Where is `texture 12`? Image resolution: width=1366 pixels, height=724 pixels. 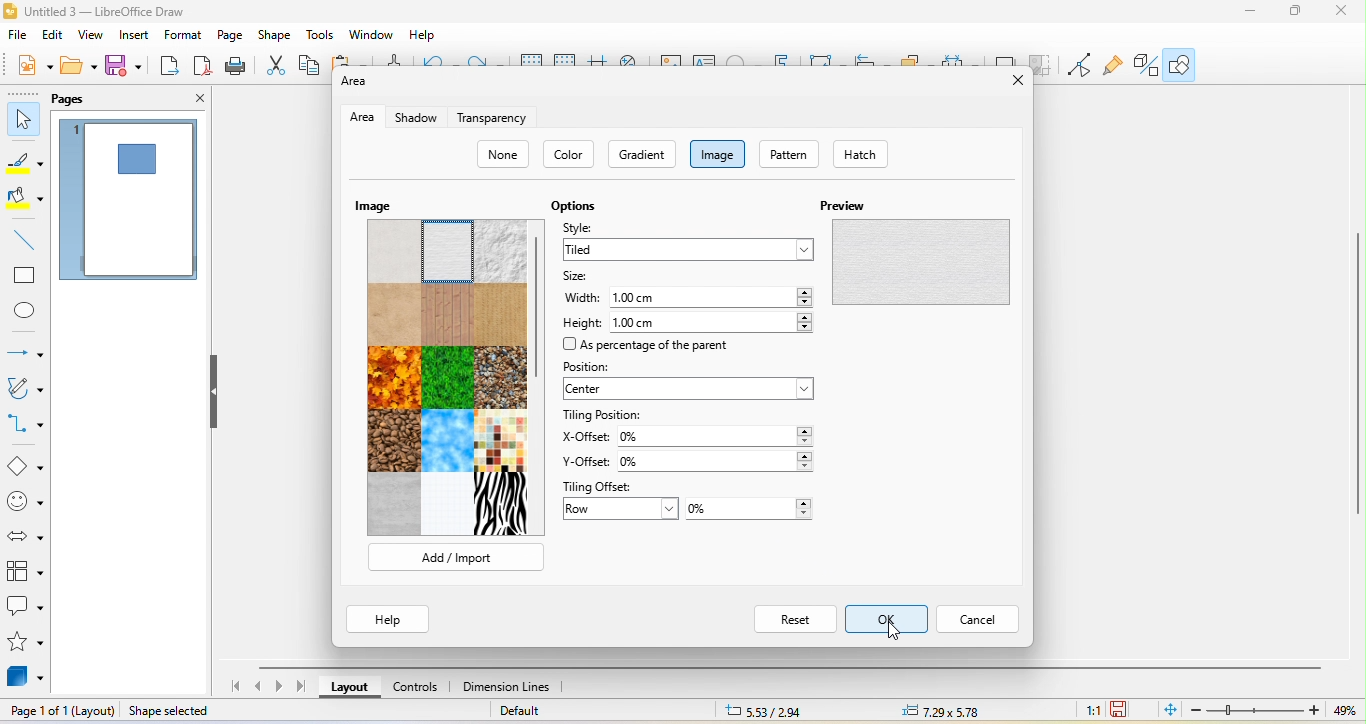 texture 12 is located at coordinates (501, 441).